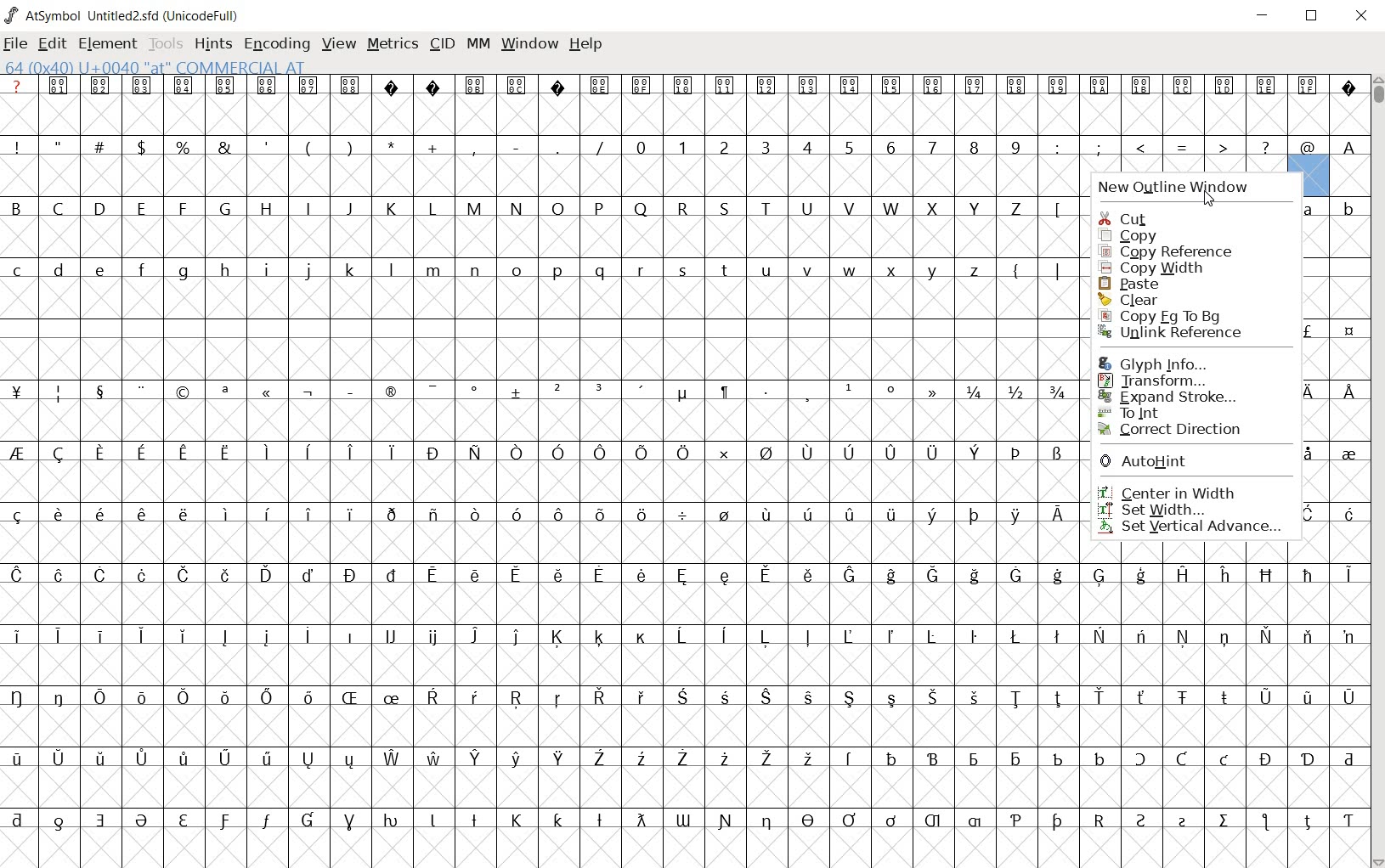 This screenshot has width=1385, height=868. What do you see at coordinates (532, 42) in the screenshot?
I see `WINDOW` at bounding box center [532, 42].